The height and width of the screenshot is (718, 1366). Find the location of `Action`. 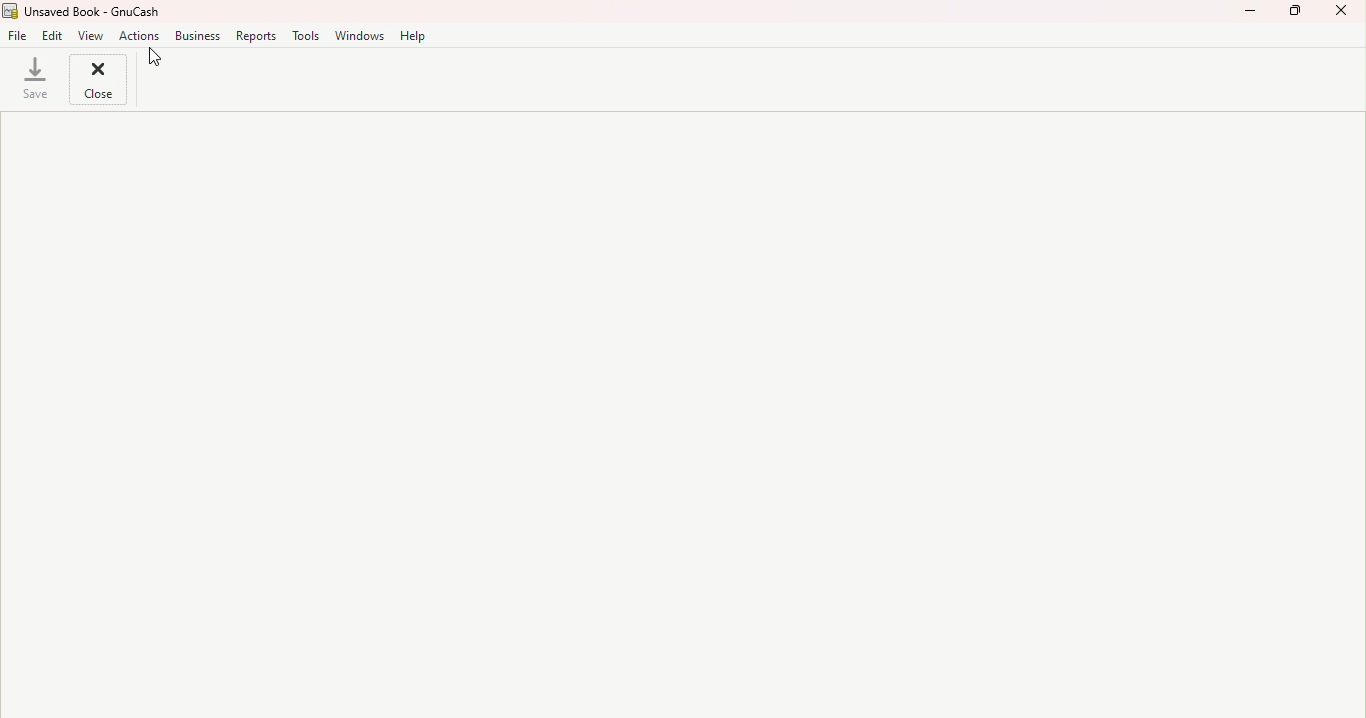

Action is located at coordinates (142, 36).